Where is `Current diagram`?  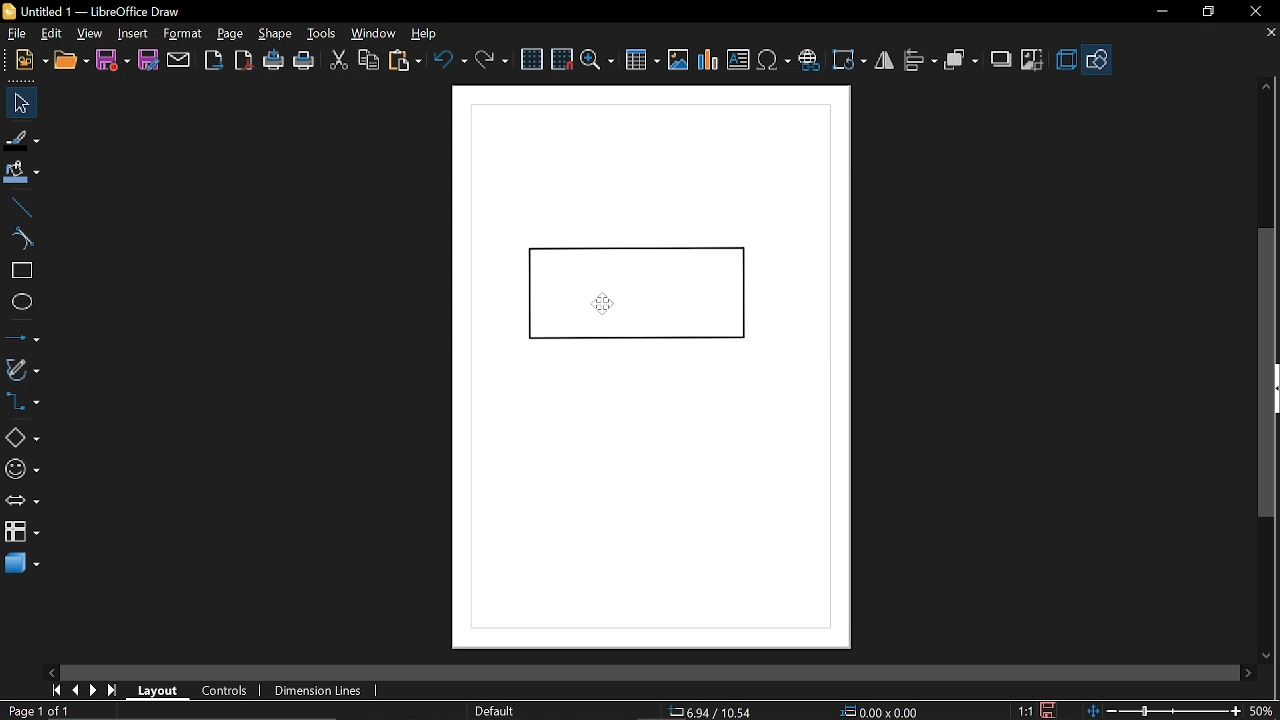
Current diagram is located at coordinates (654, 364).